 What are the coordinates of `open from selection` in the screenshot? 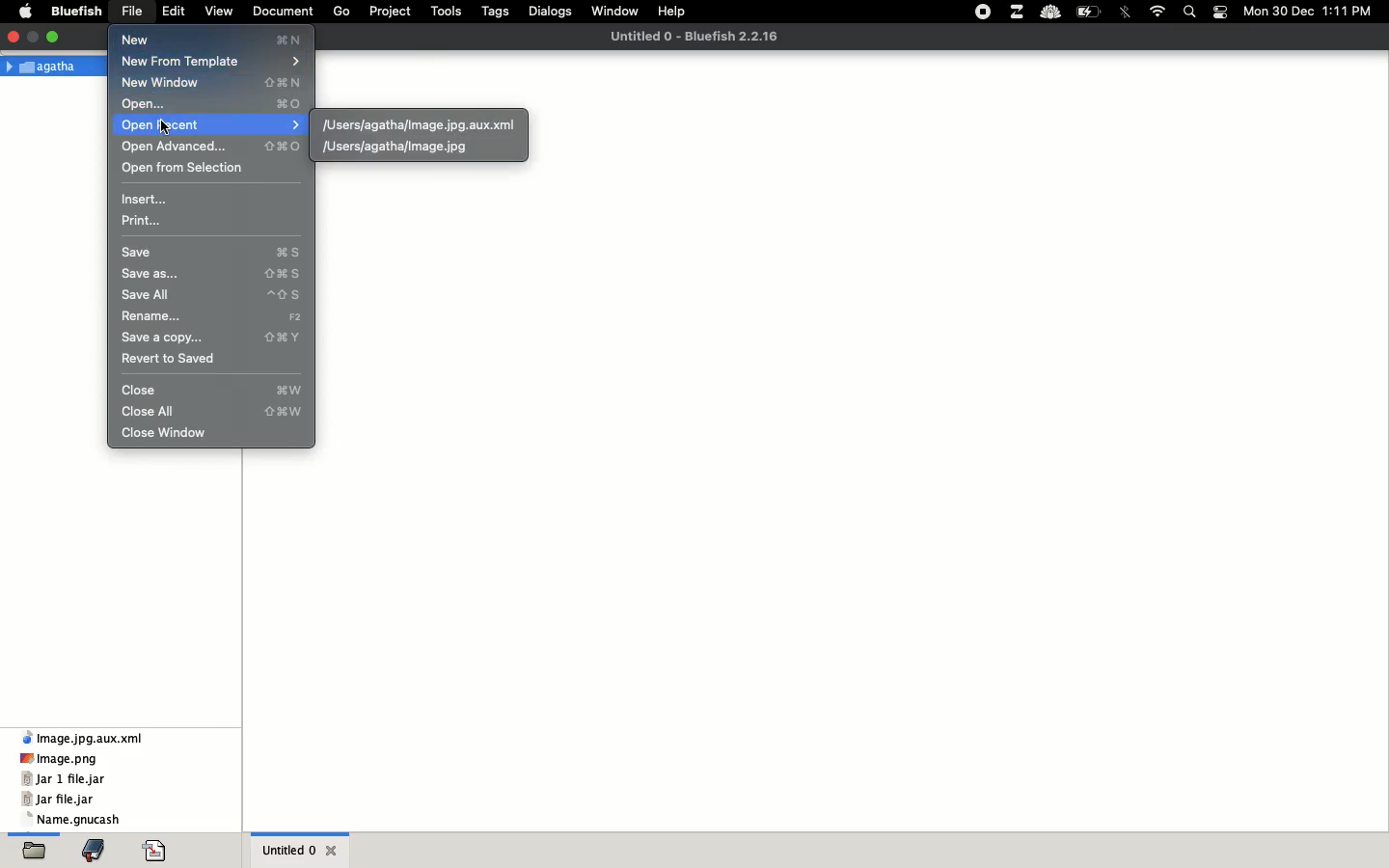 It's located at (180, 168).